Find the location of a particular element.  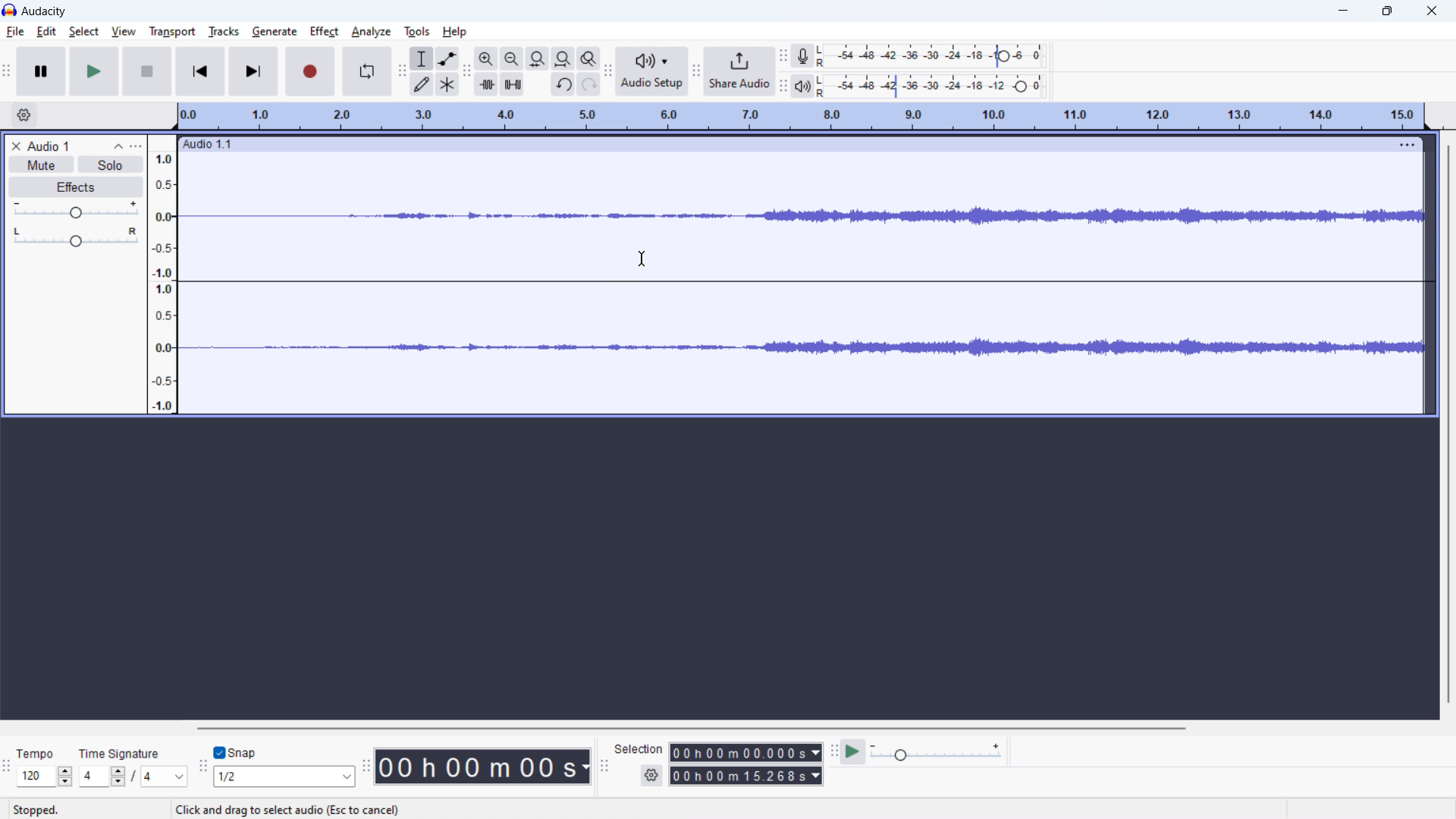

00h00m00.000s (start time) is located at coordinates (745, 751).